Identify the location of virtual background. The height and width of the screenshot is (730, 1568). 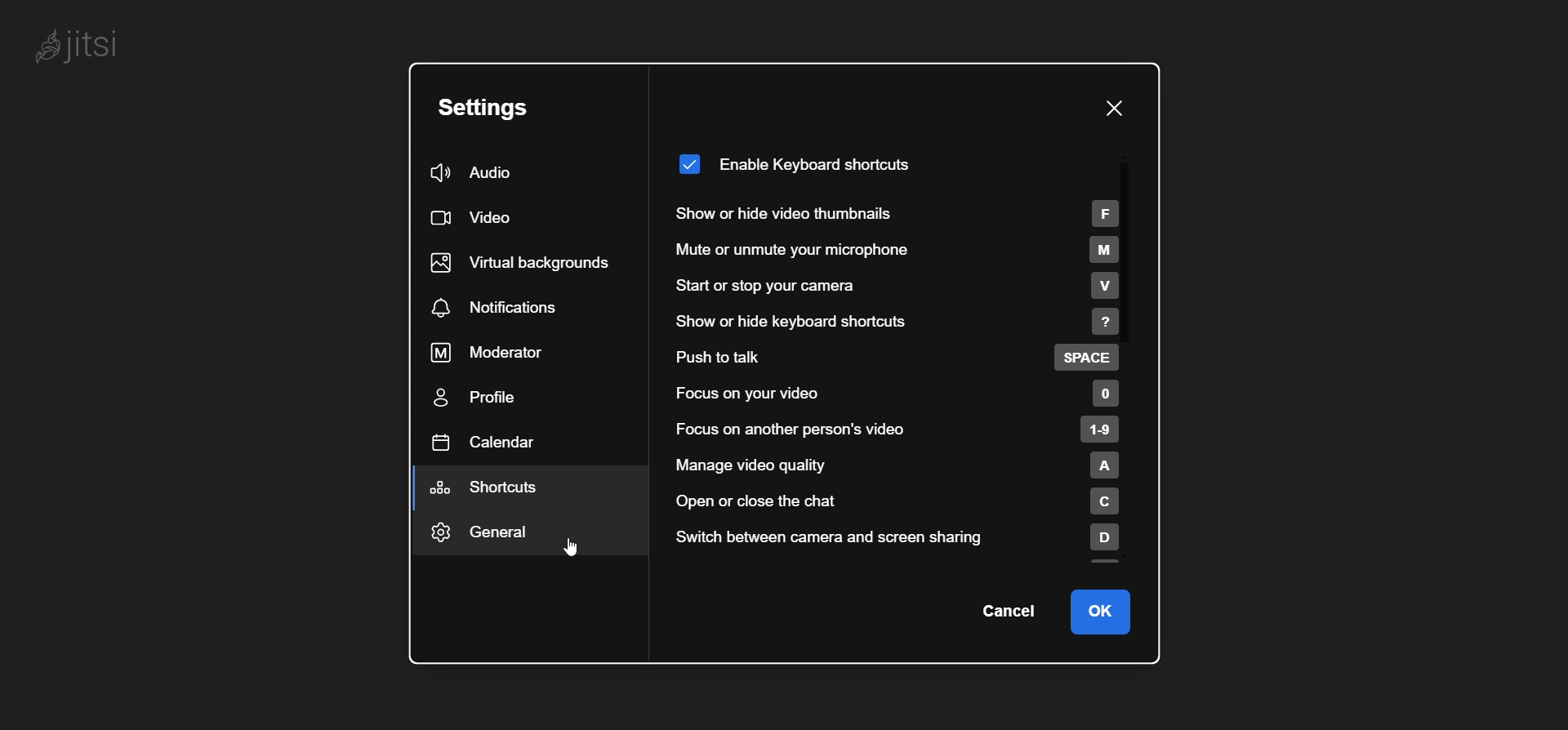
(523, 260).